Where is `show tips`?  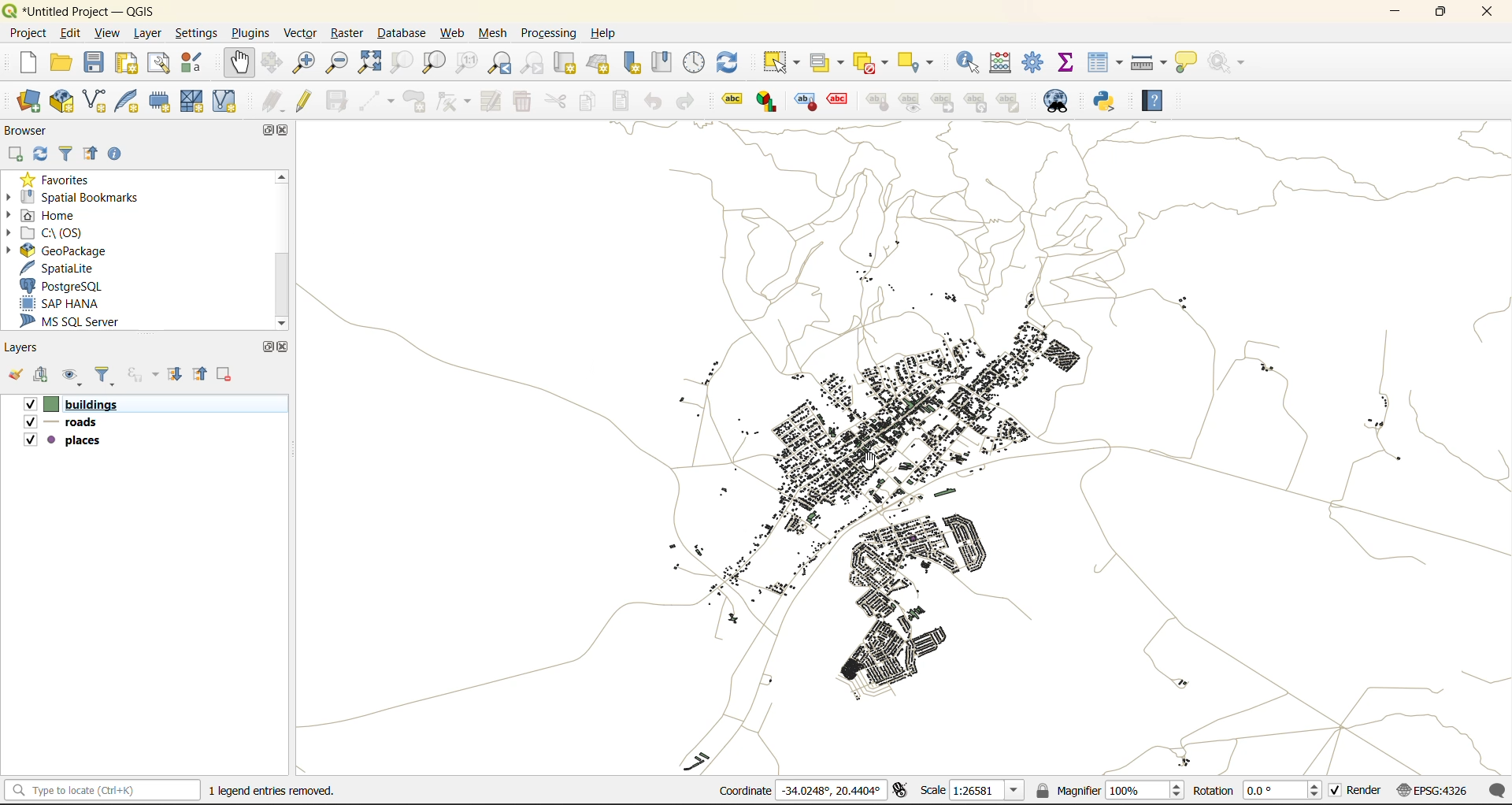 show tips is located at coordinates (1186, 63).